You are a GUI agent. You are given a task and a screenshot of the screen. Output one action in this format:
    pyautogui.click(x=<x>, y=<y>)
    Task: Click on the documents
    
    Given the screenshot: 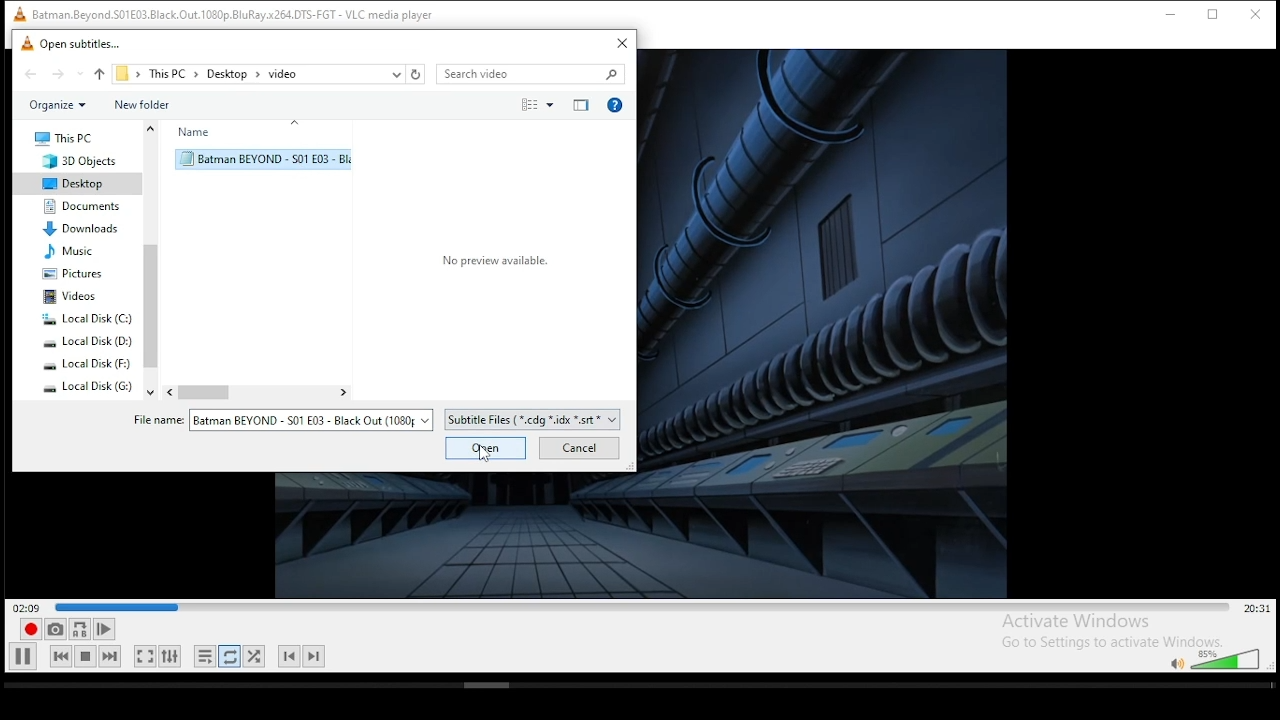 What is the action you would take?
    pyautogui.click(x=83, y=207)
    